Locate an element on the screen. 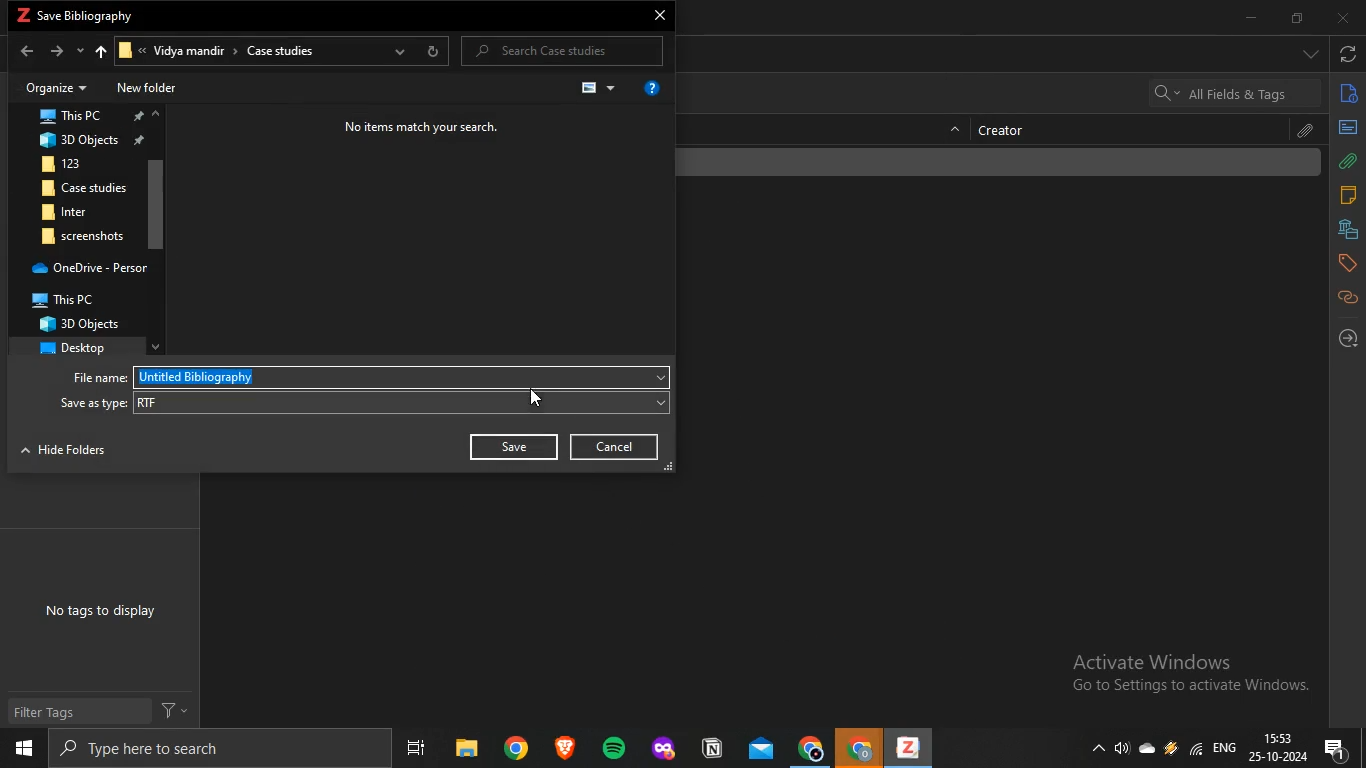 This screenshot has width=1366, height=768. BR inter is located at coordinates (86, 212).